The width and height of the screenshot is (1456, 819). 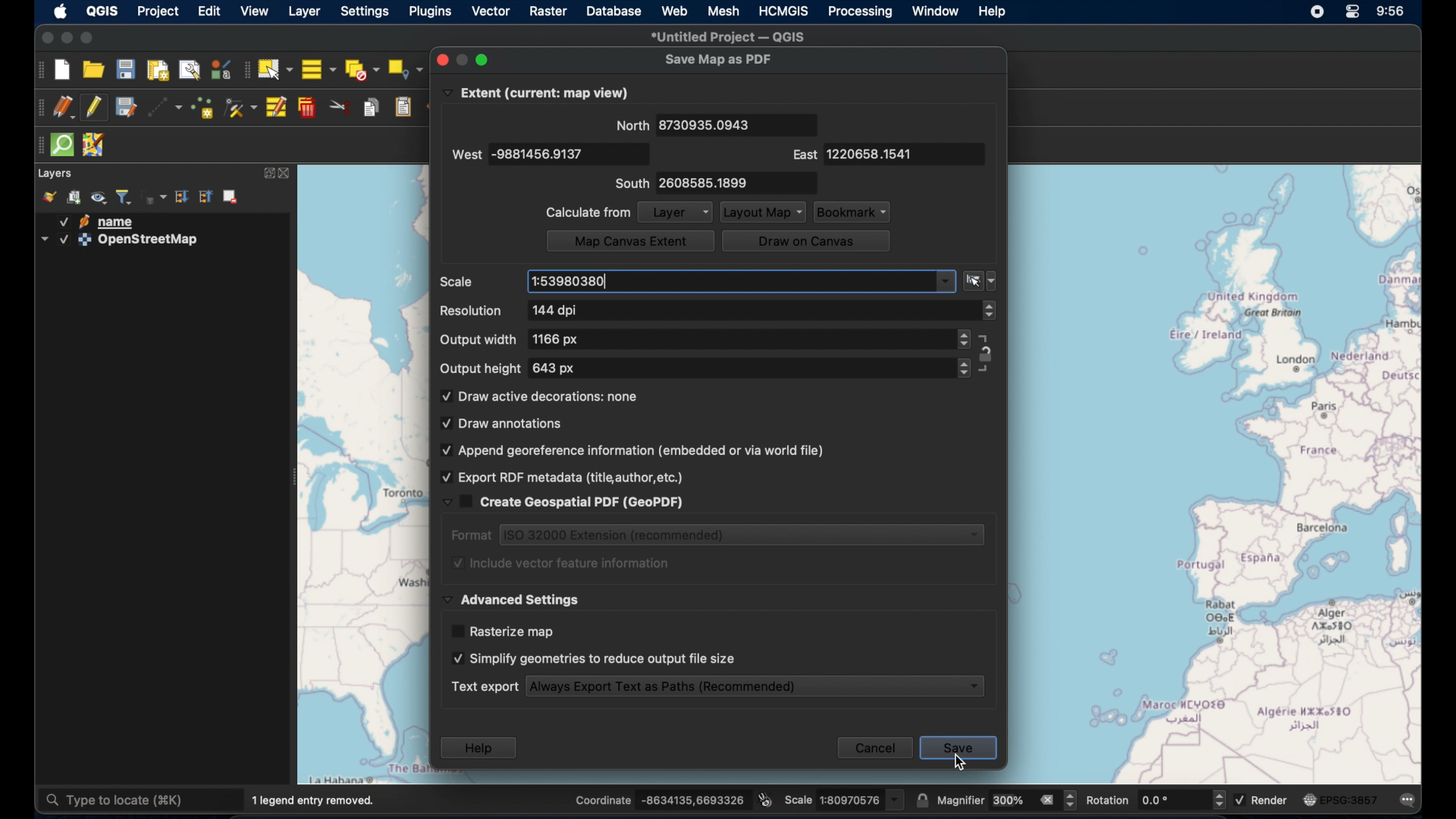 What do you see at coordinates (363, 11) in the screenshot?
I see `settings` at bounding box center [363, 11].